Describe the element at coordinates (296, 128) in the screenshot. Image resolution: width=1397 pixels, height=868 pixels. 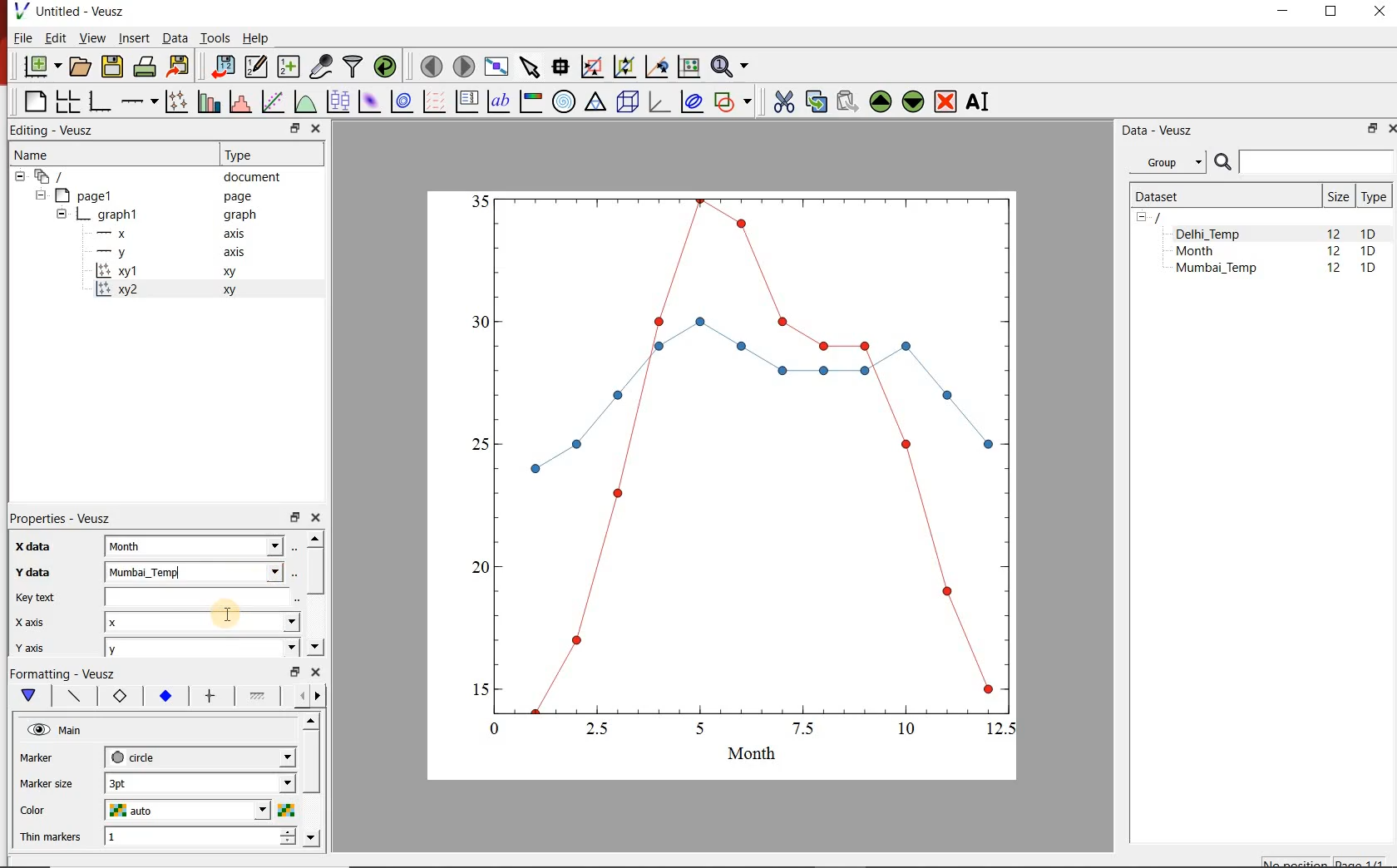
I see `restore` at that location.